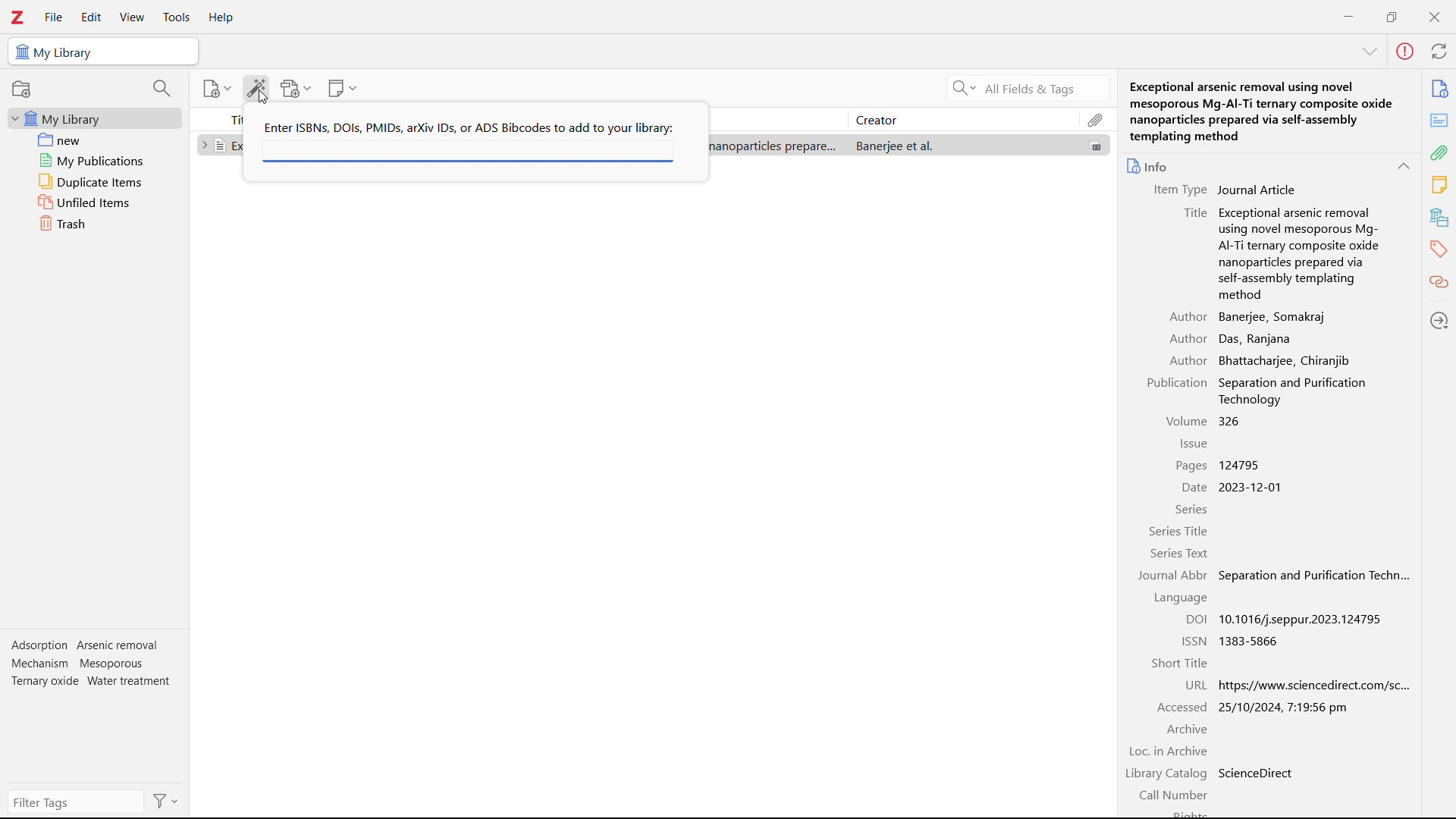 This screenshot has height=819, width=1456. Describe the element at coordinates (218, 89) in the screenshot. I see `add item` at that location.